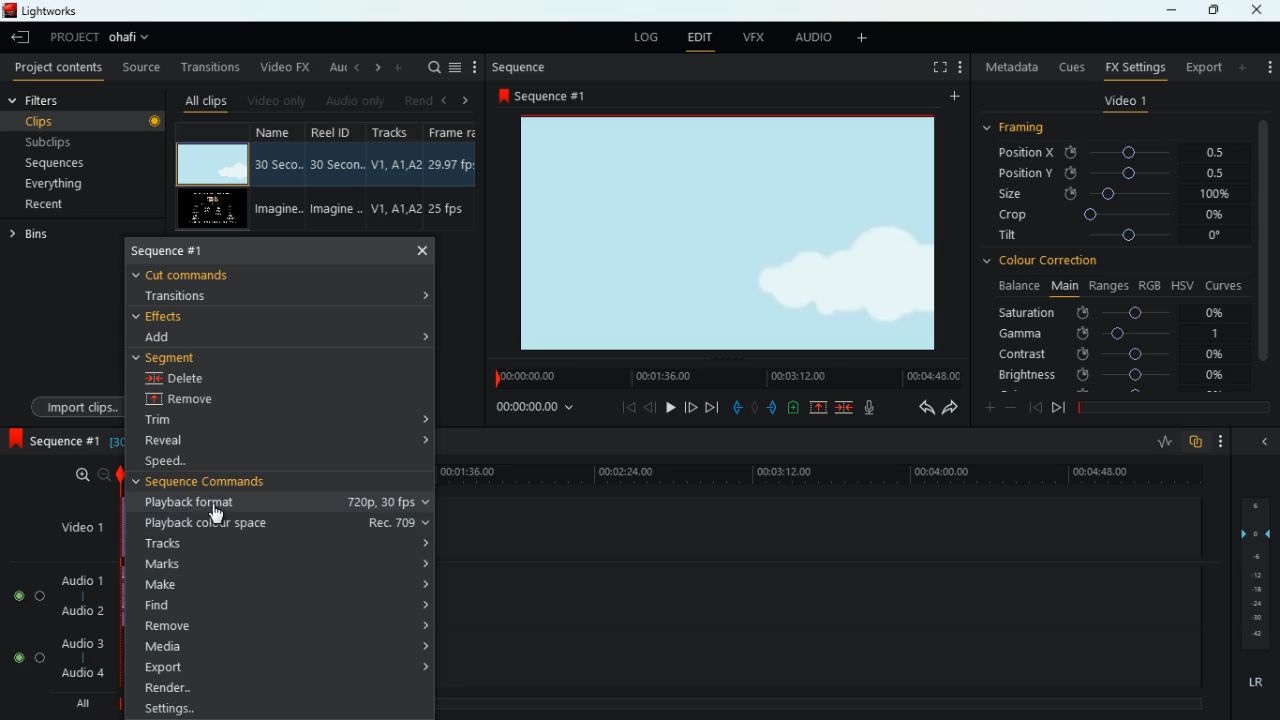 Image resolution: width=1280 pixels, height=720 pixels. Describe the element at coordinates (1260, 440) in the screenshot. I see `hide` at that location.